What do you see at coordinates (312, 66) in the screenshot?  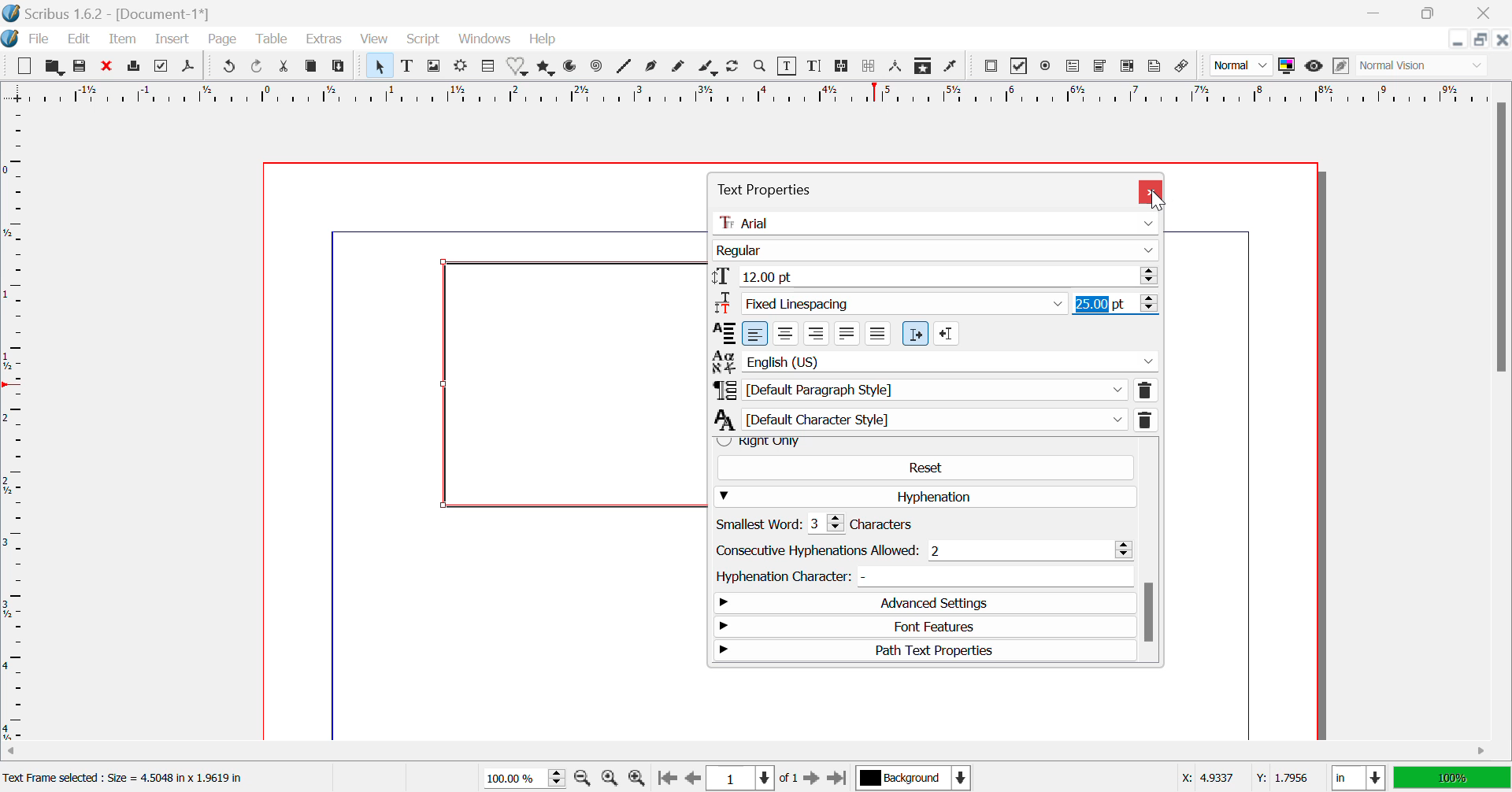 I see `Copy` at bounding box center [312, 66].